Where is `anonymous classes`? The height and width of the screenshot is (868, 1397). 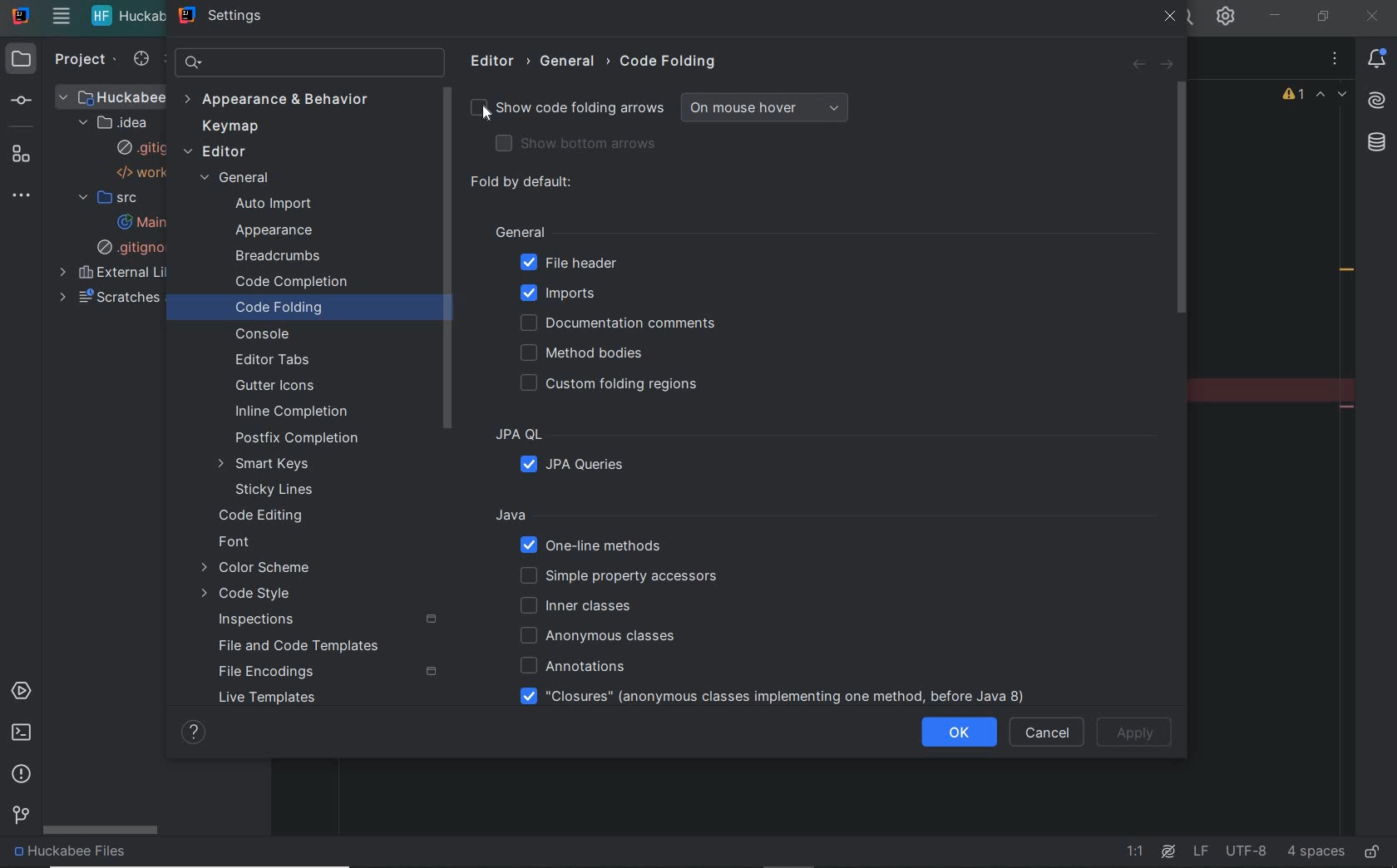
anonymous classes is located at coordinates (594, 635).